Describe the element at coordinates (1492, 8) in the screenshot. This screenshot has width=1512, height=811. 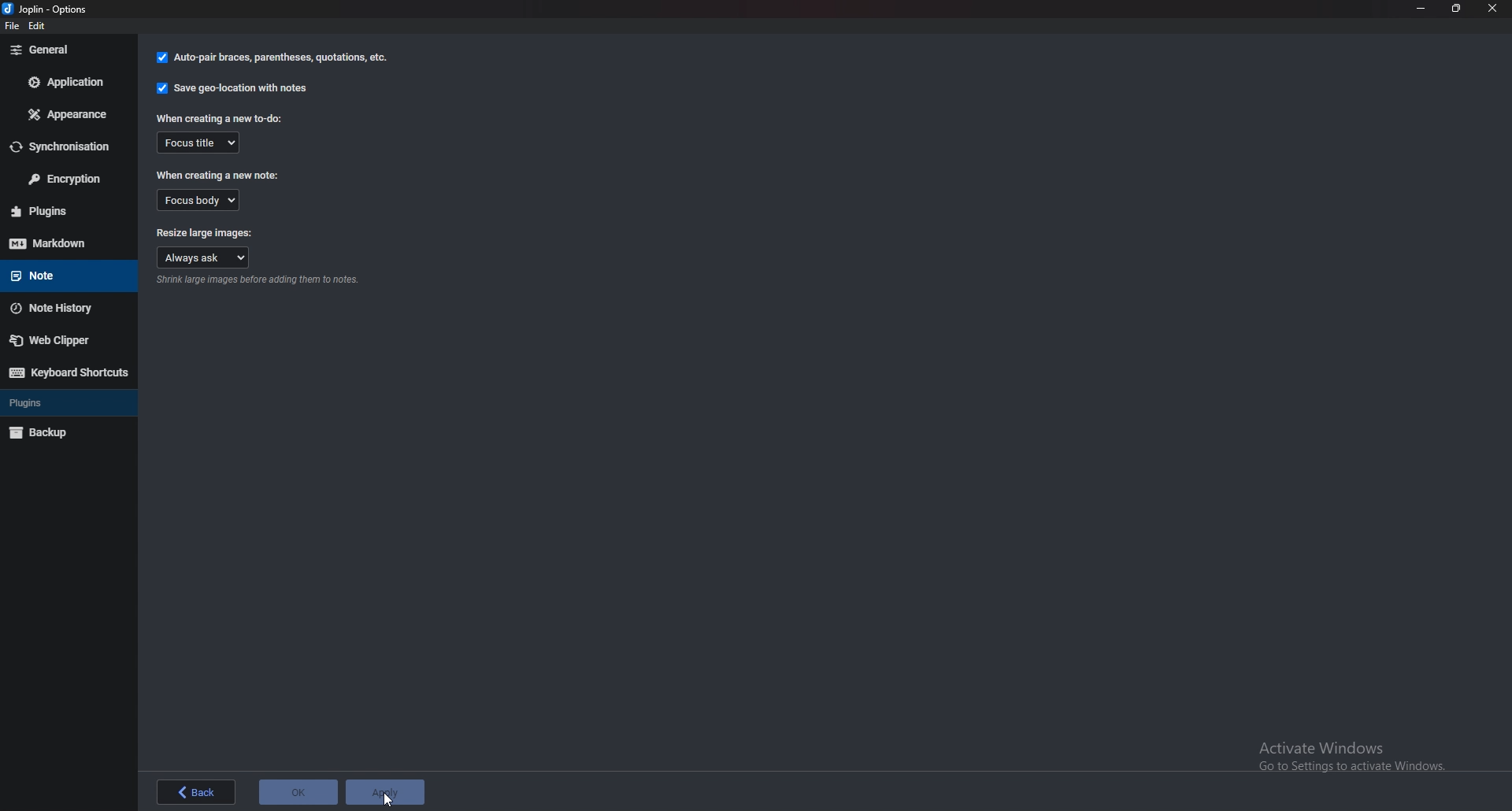
I see `close` at that location.